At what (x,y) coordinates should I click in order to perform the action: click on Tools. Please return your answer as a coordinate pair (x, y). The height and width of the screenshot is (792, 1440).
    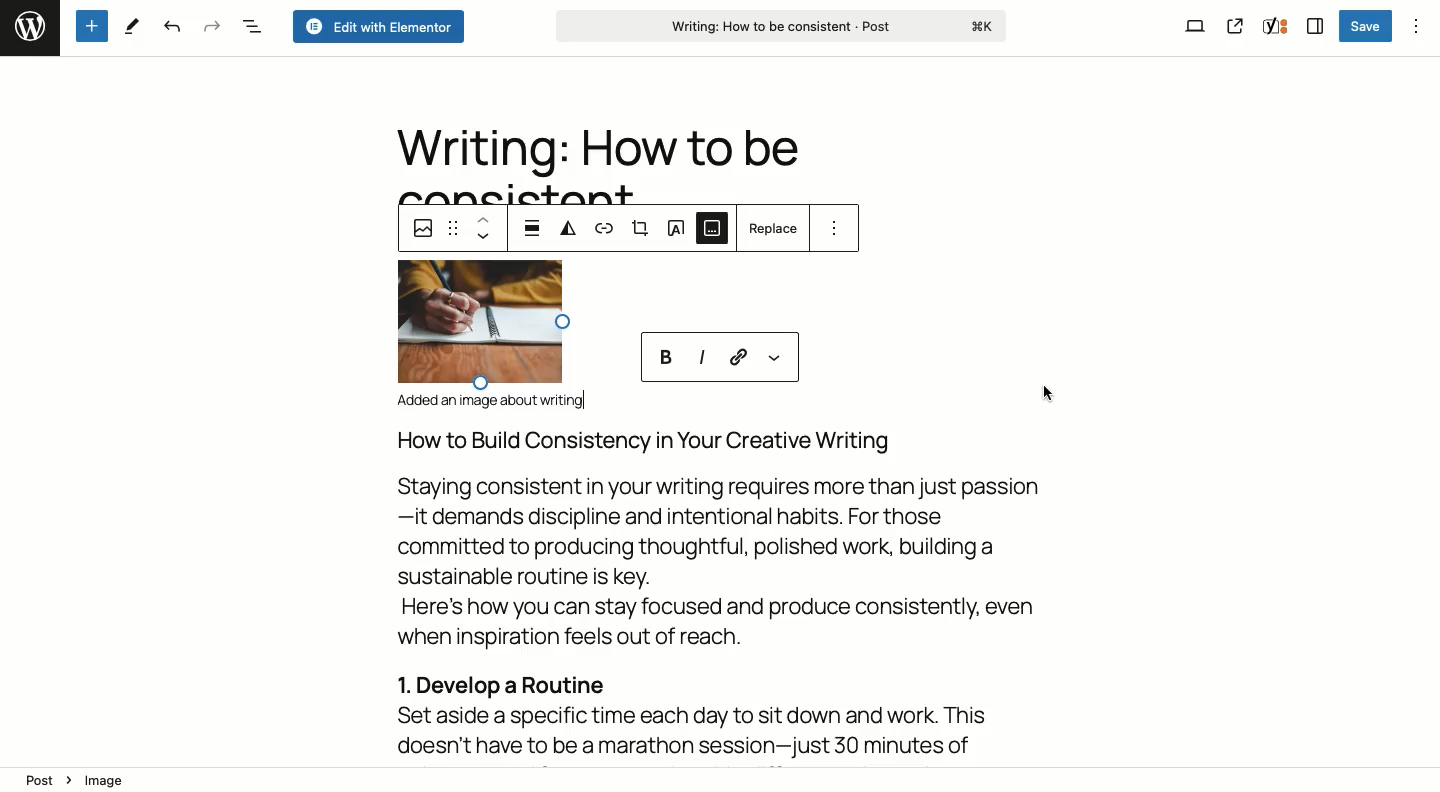
    Looking at the image, I should click on (135, 26).